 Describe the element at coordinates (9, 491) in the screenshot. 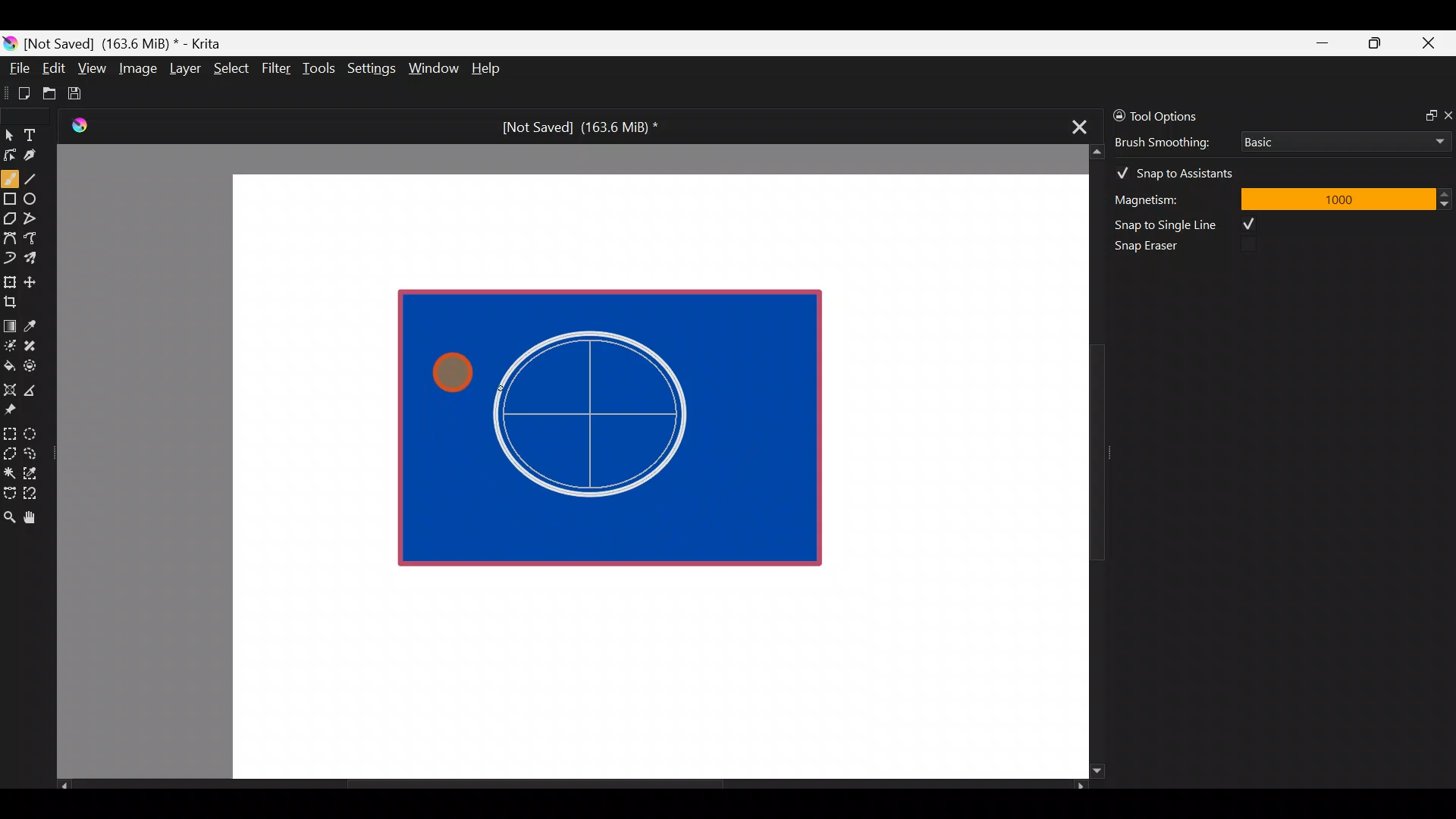

I see `Bezier curve selection tool` at that location.